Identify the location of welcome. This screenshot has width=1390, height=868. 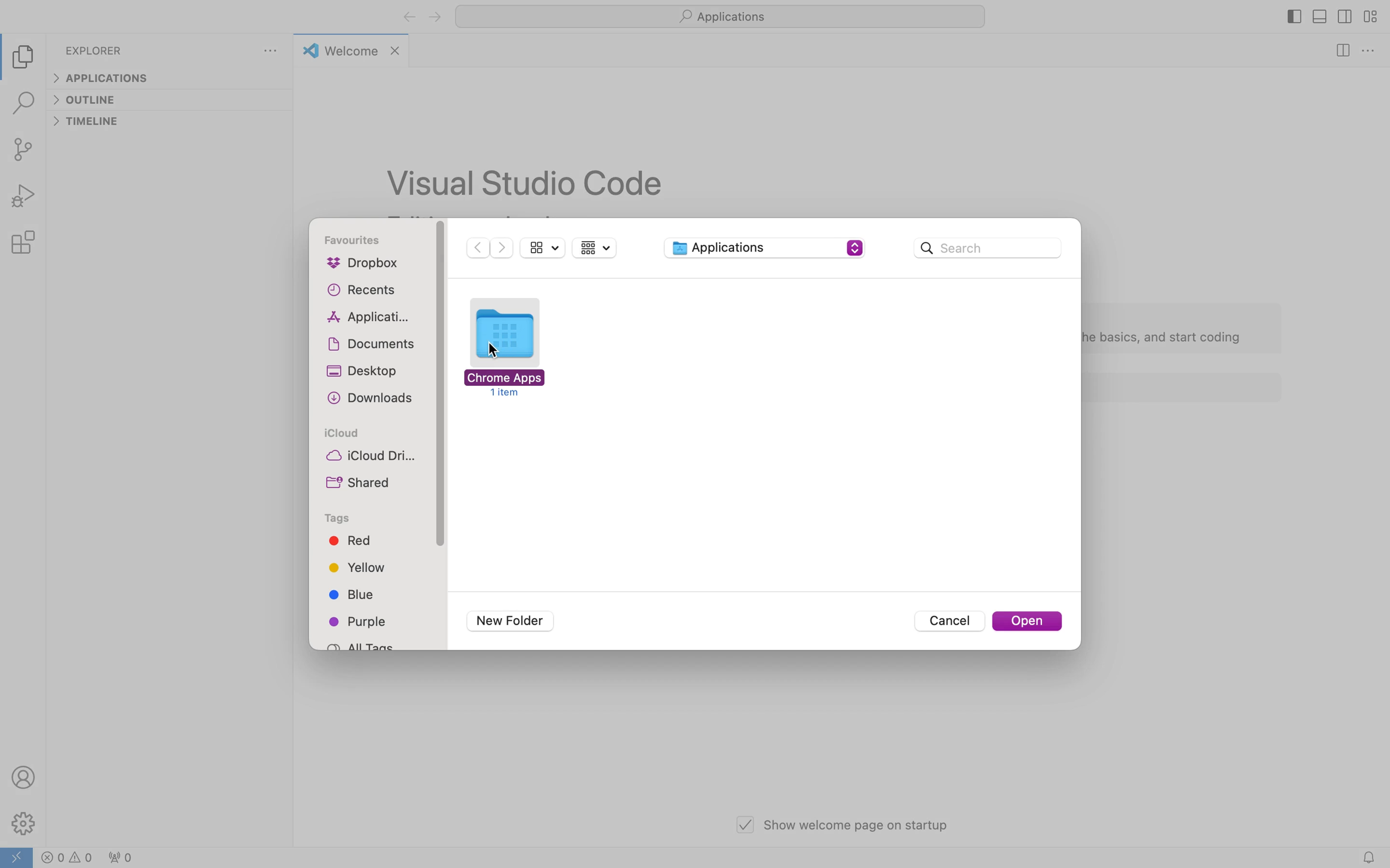
(352, 50).